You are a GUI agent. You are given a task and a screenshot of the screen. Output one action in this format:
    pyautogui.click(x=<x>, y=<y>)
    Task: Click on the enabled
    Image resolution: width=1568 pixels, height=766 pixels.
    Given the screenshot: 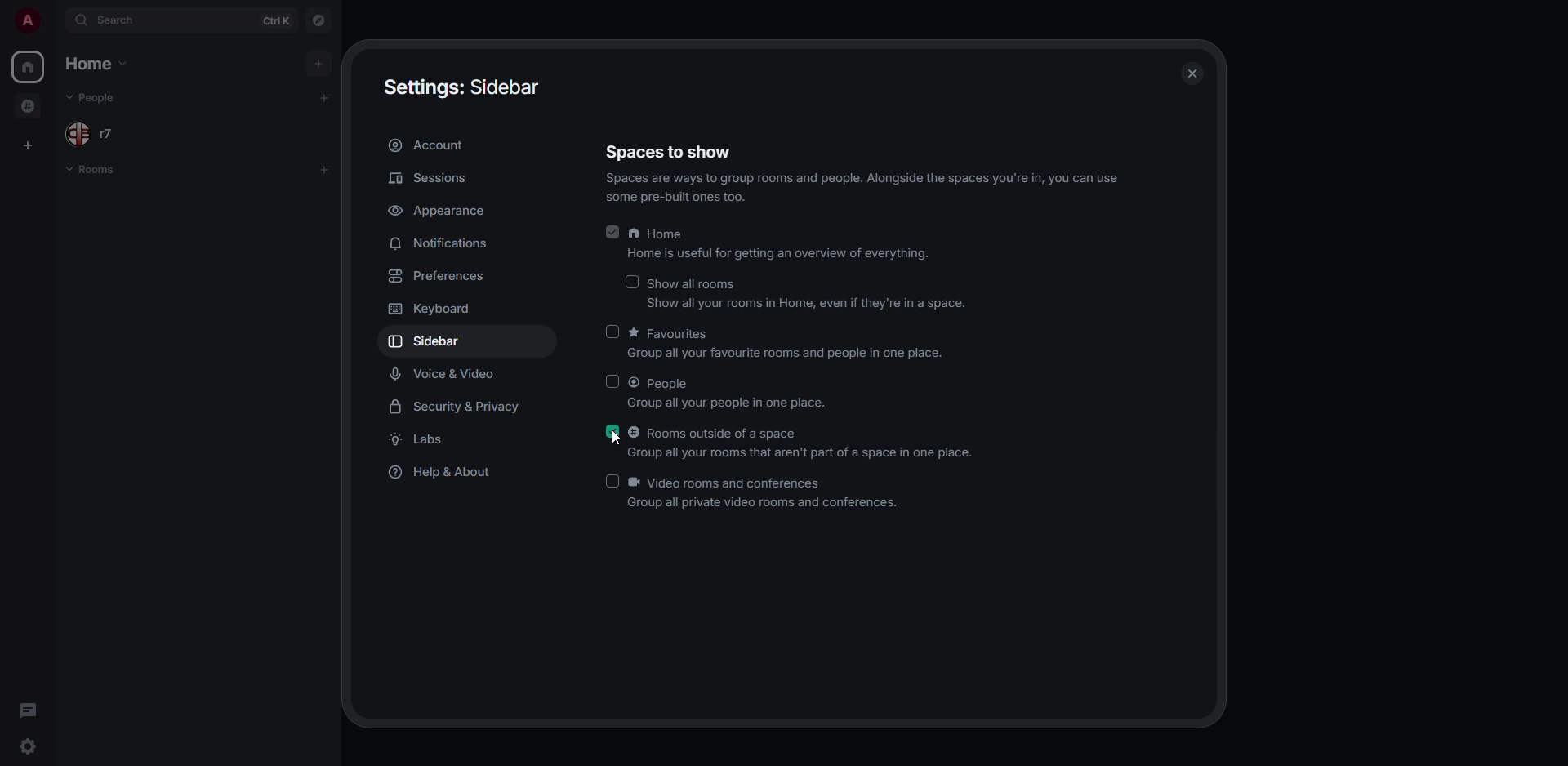 What is the action you would take?
    pyautogui.click(x=614, y=431)
    